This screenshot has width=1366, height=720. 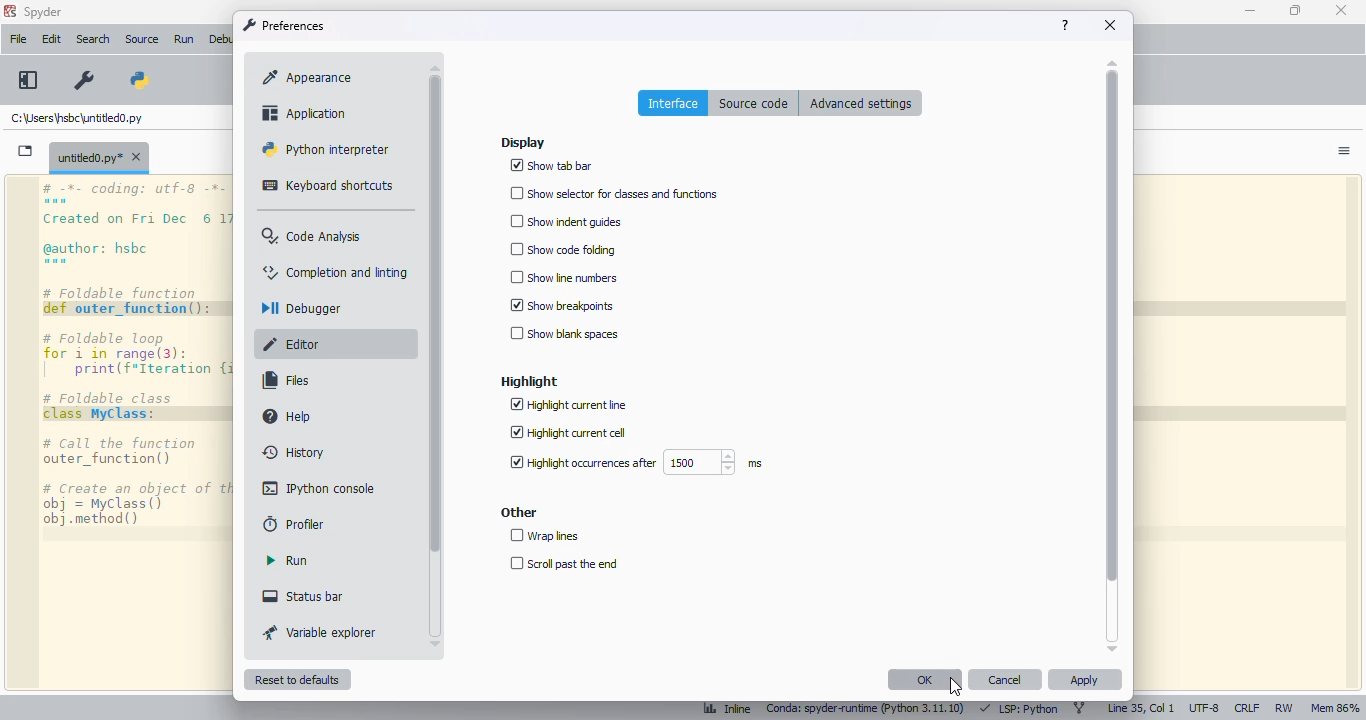 I want to click on preferences, so click(x=283, y=25).